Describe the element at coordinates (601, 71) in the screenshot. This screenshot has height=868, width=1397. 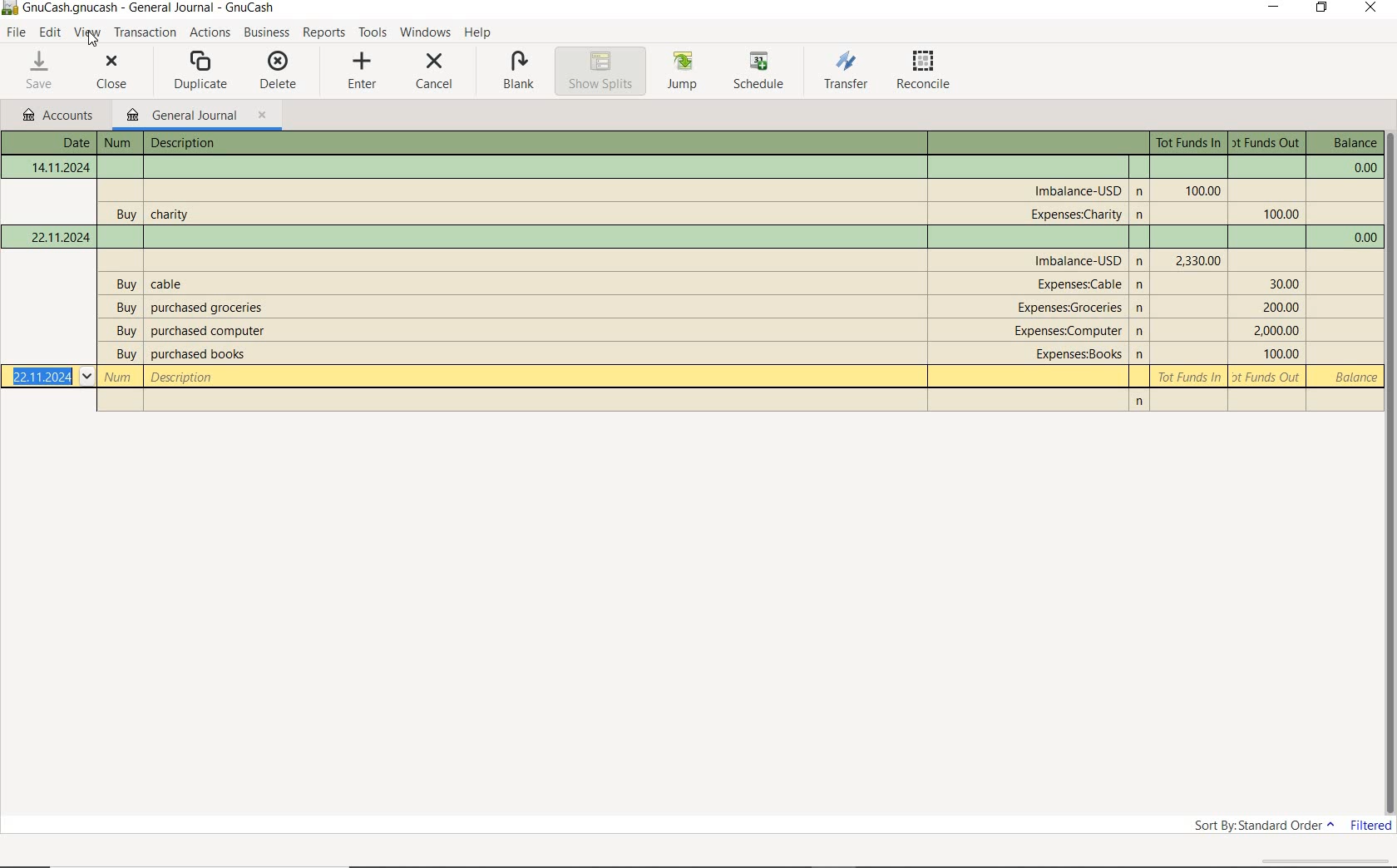
I see `SHOW SPLITS` at that location.